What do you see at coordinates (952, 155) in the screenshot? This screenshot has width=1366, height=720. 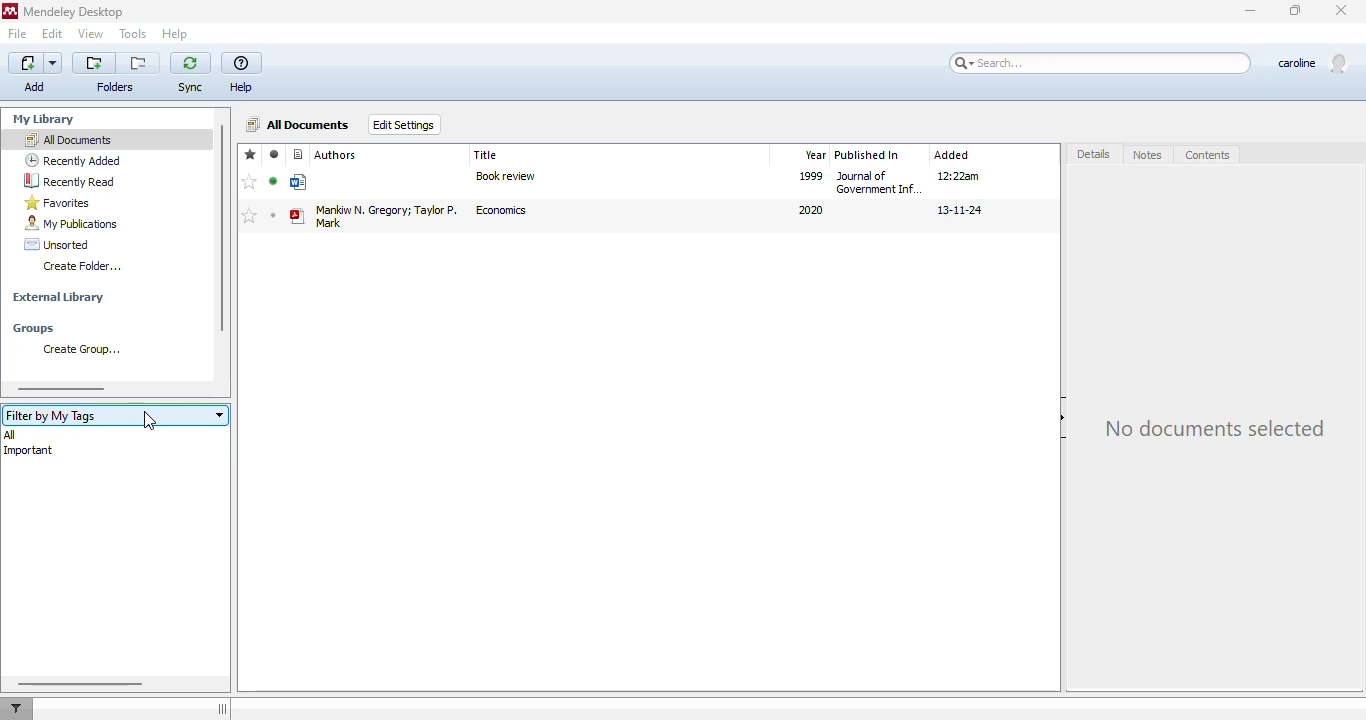 I see `added` at bounding box center [952, 155].